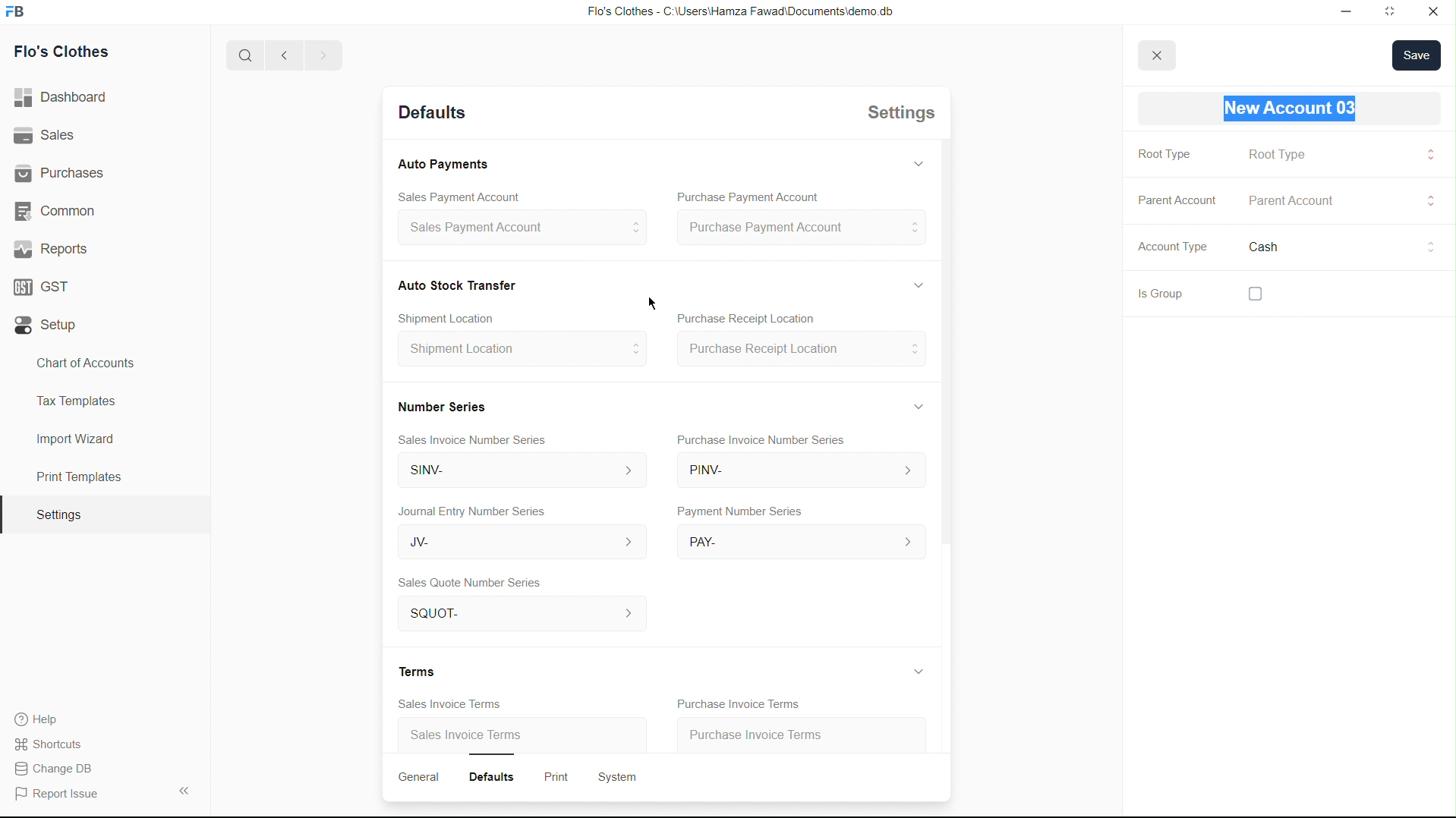 The width and height of the screenshot is (1456, 818). What do you see at coordinates (764, 319) in the screenshot?
I see `Purchase Receipt Location` at bounding box center [764, 319].